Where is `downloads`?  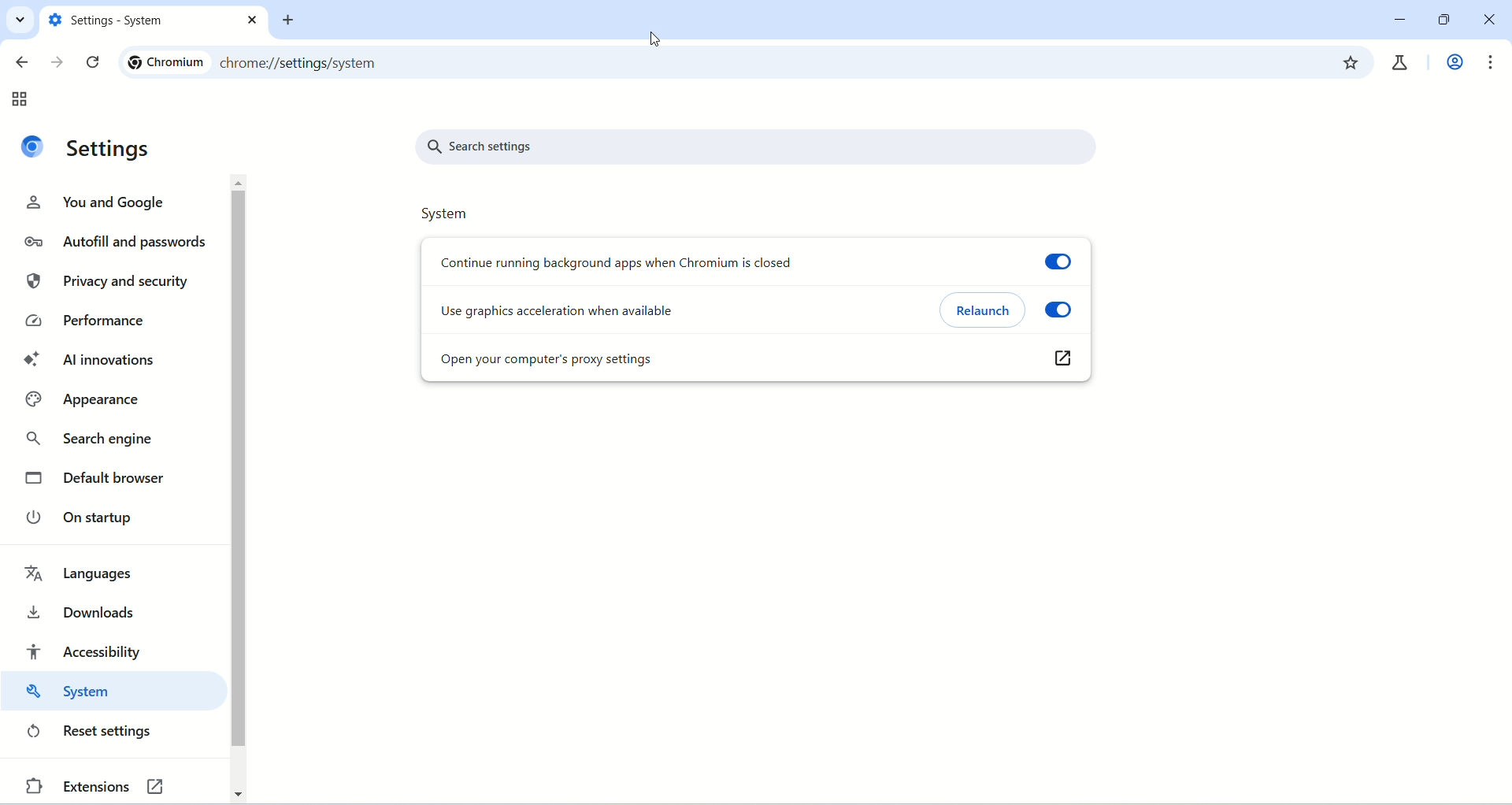
downloads is located at coordinates (87, 610).